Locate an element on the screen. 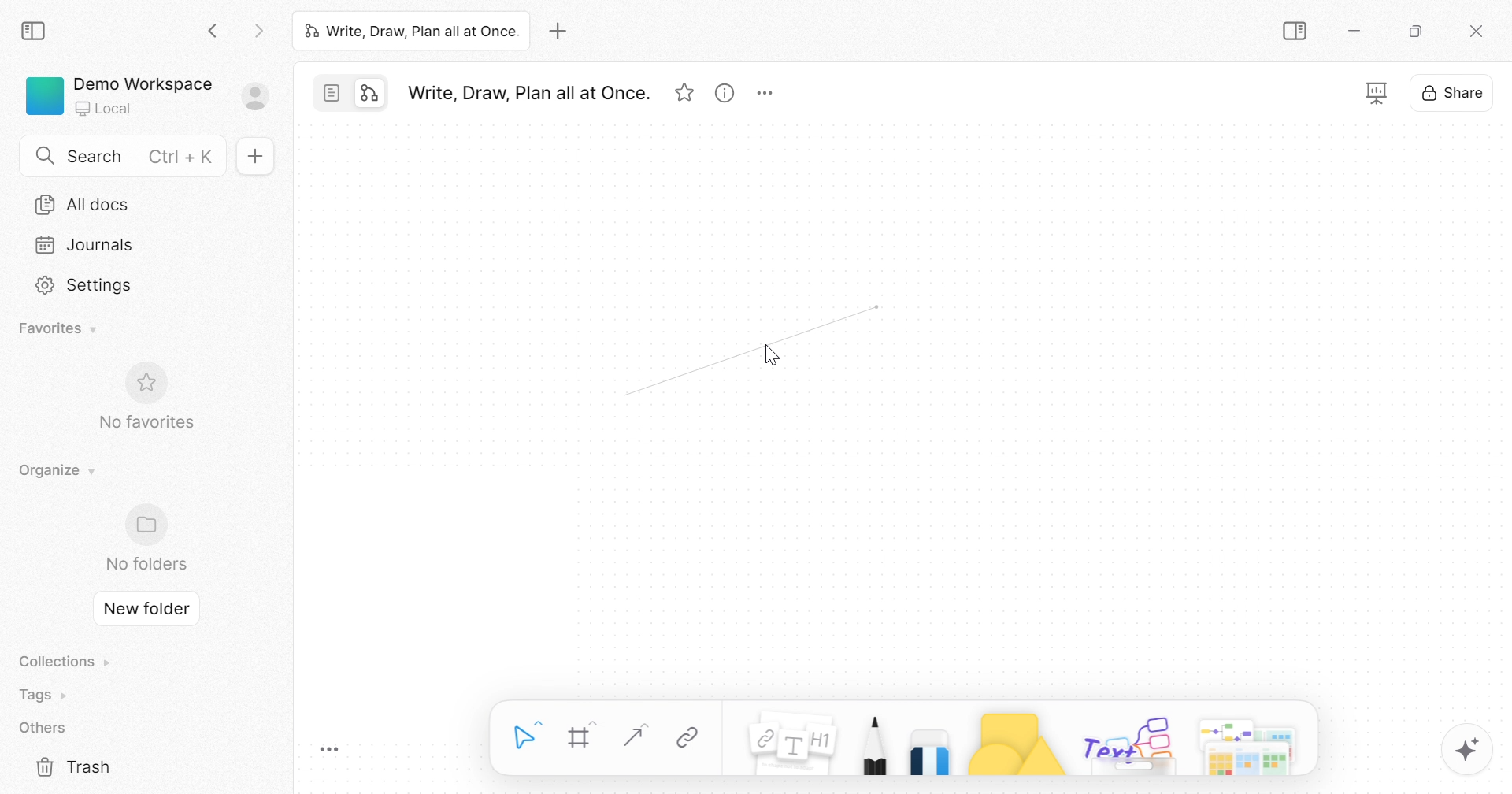  Restore down is located at coordinates (1415, 33).